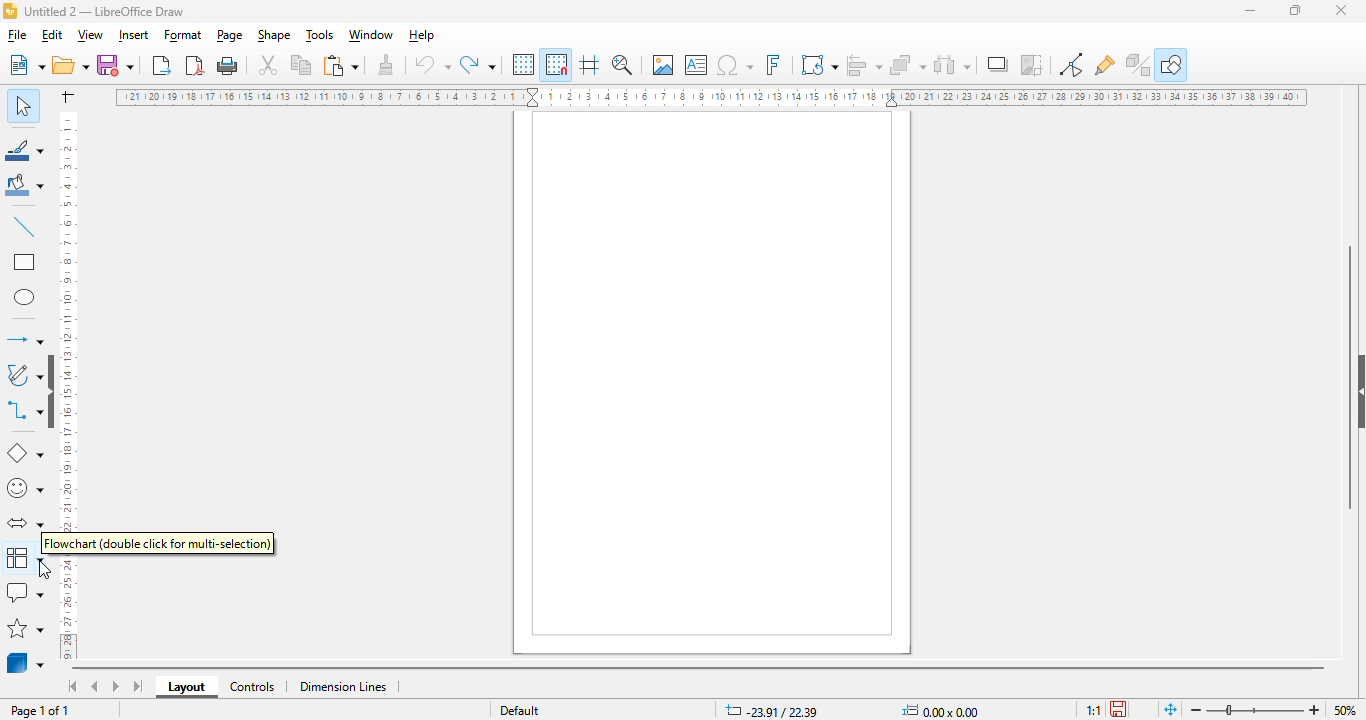  Describe the element at coordinates (954, 65) in the screenshot. I see `select at least three objects to distribute` at that location.